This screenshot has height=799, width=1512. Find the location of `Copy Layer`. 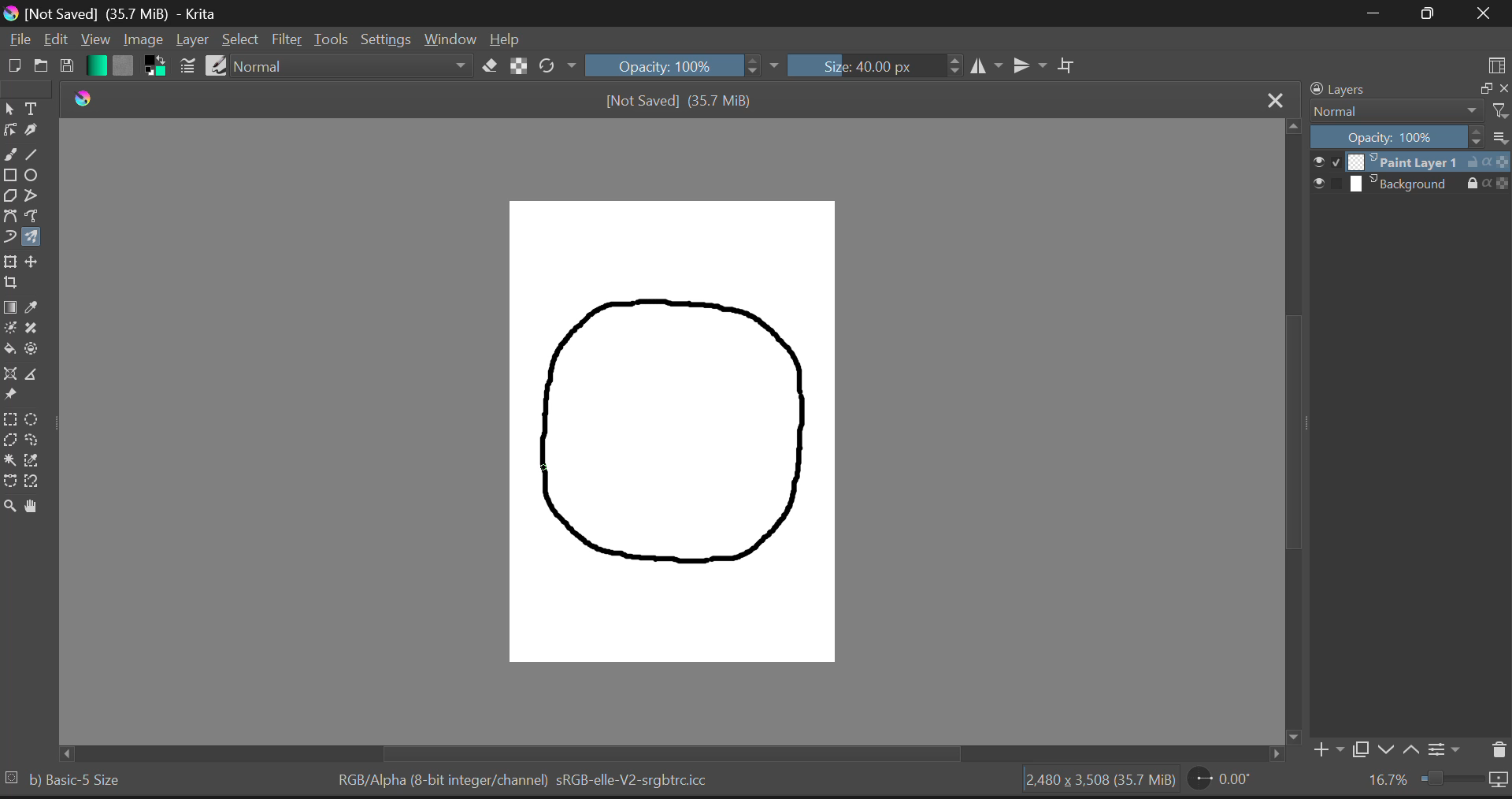

Copy Layer is located at coordinates (1362, 749).